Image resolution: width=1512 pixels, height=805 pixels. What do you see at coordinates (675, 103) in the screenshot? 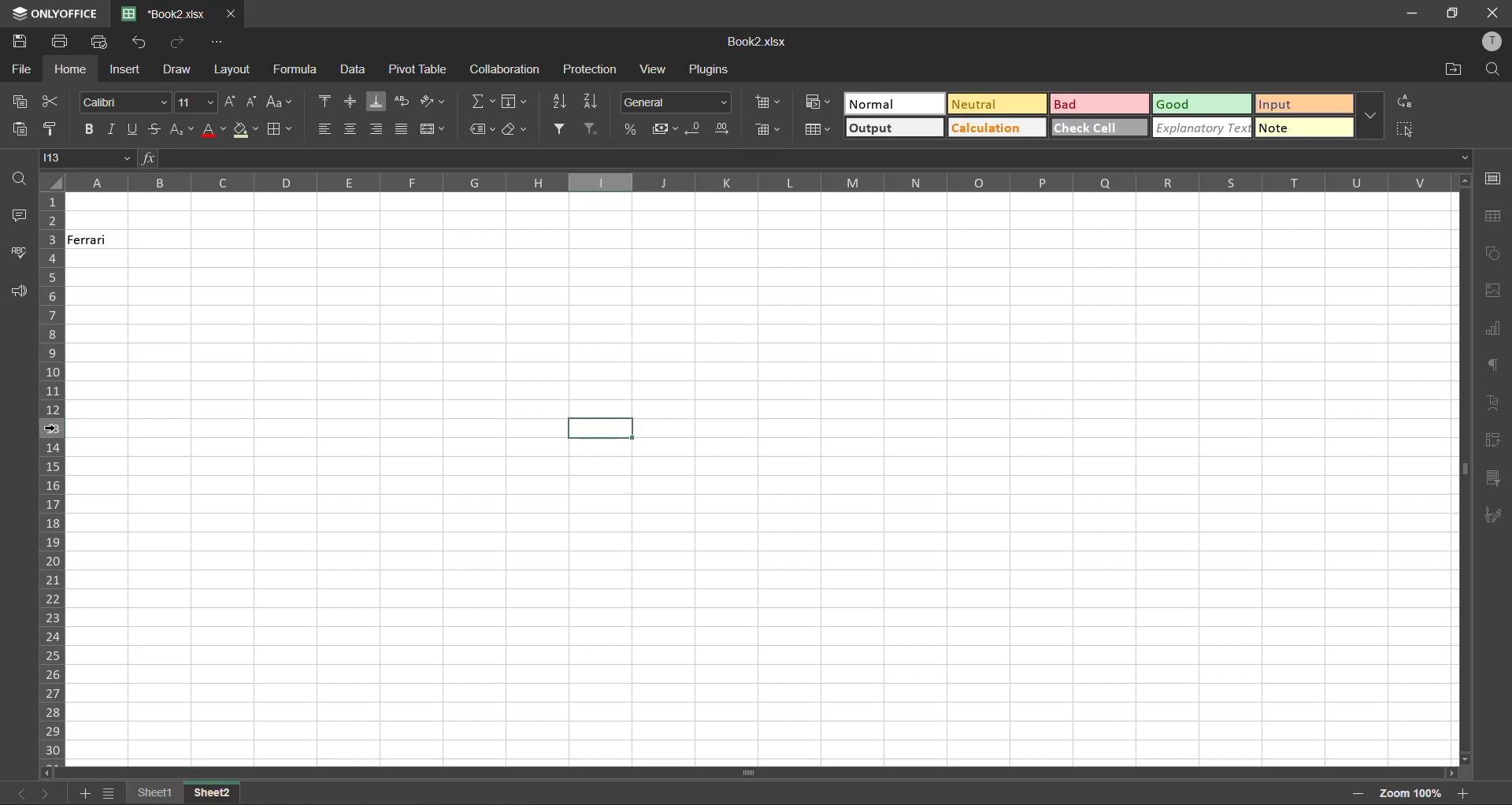
I see `number format` at bounding box center [675, 103].